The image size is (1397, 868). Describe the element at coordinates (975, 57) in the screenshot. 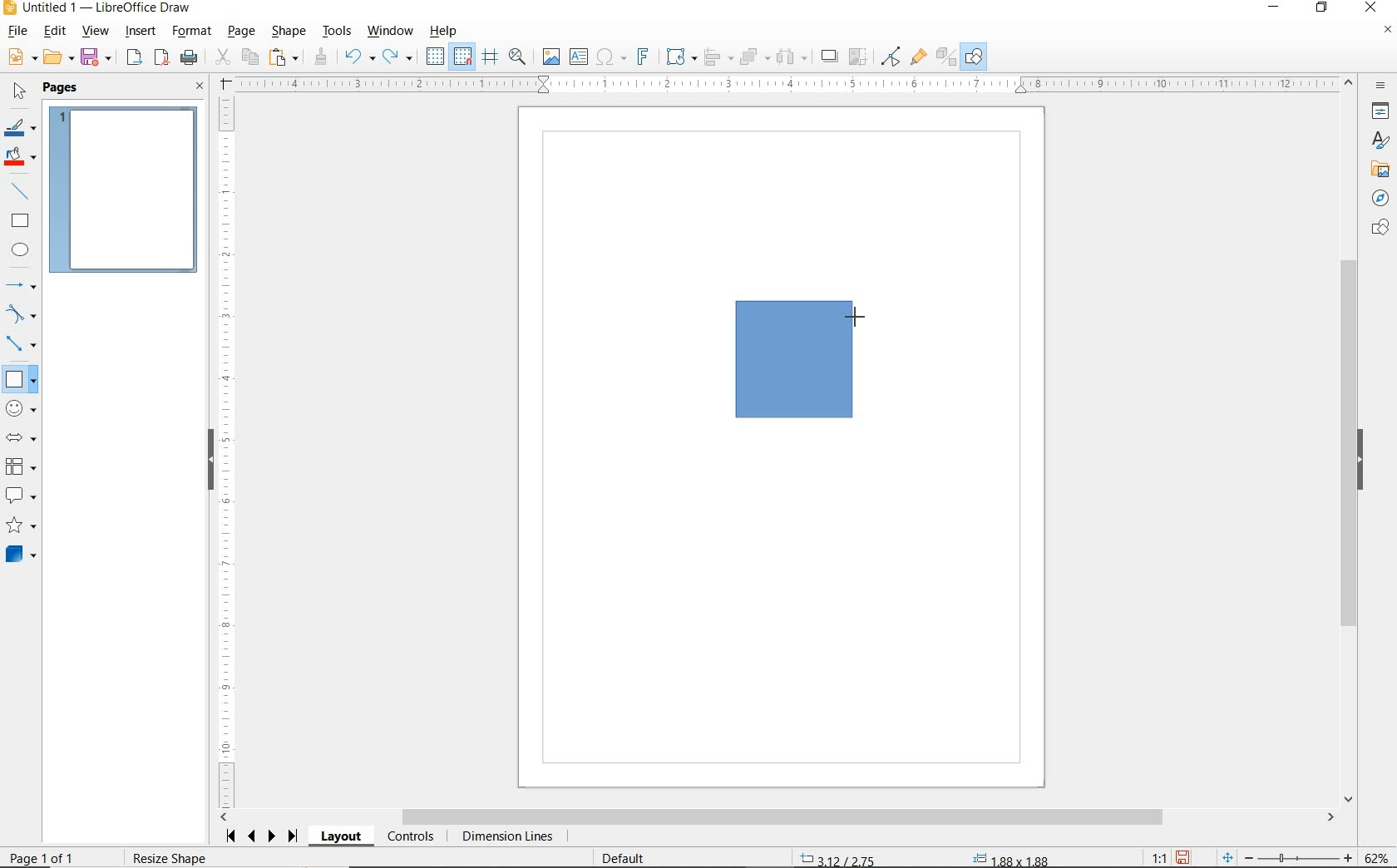

I see `SHOW DRAW FUNCTIONS` at that location.